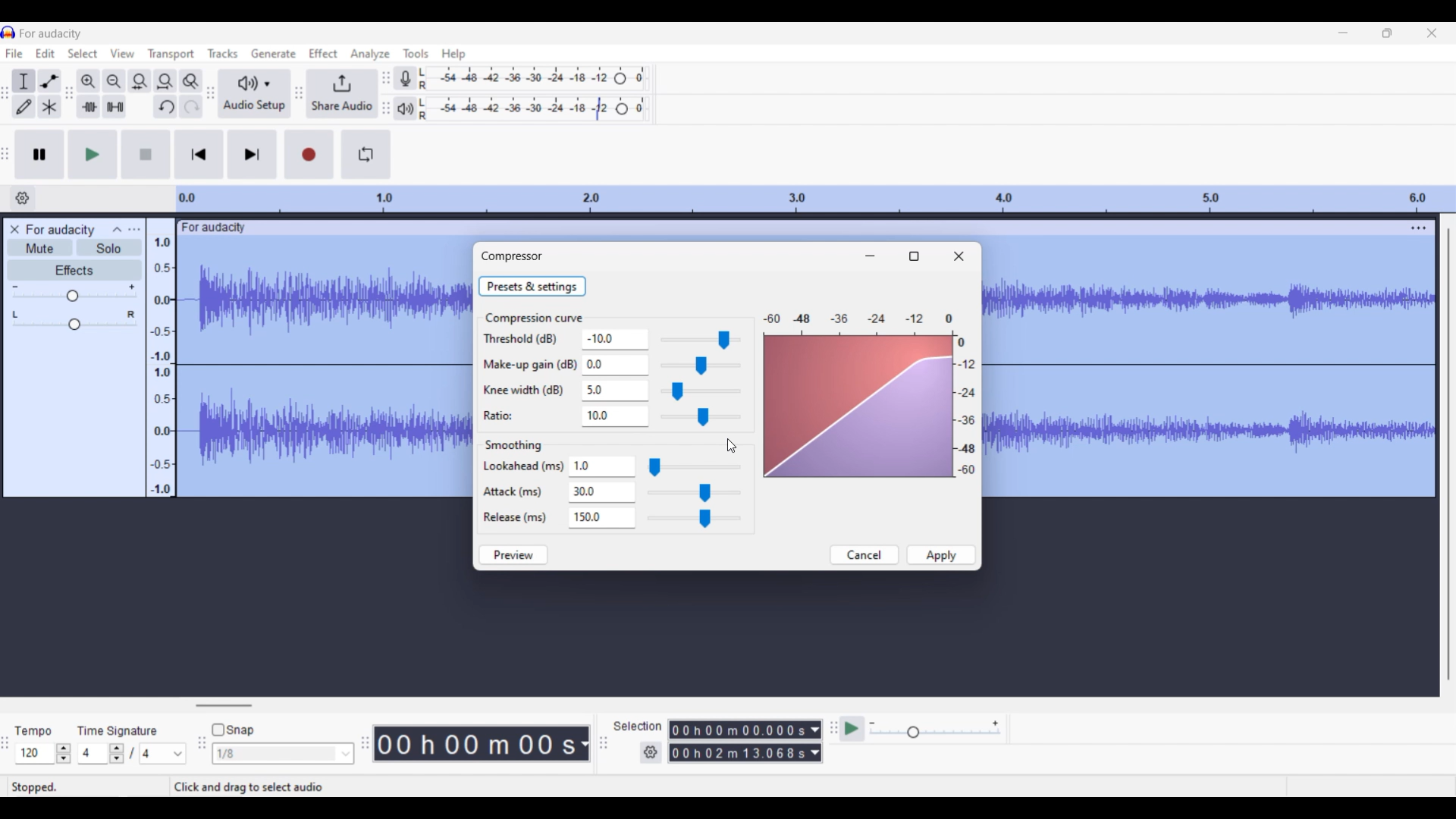 This screenshot has height=819, width=1456. Describe the element at coordinates (404, 109) in the screenshot. I see `Playback meter` at that location.